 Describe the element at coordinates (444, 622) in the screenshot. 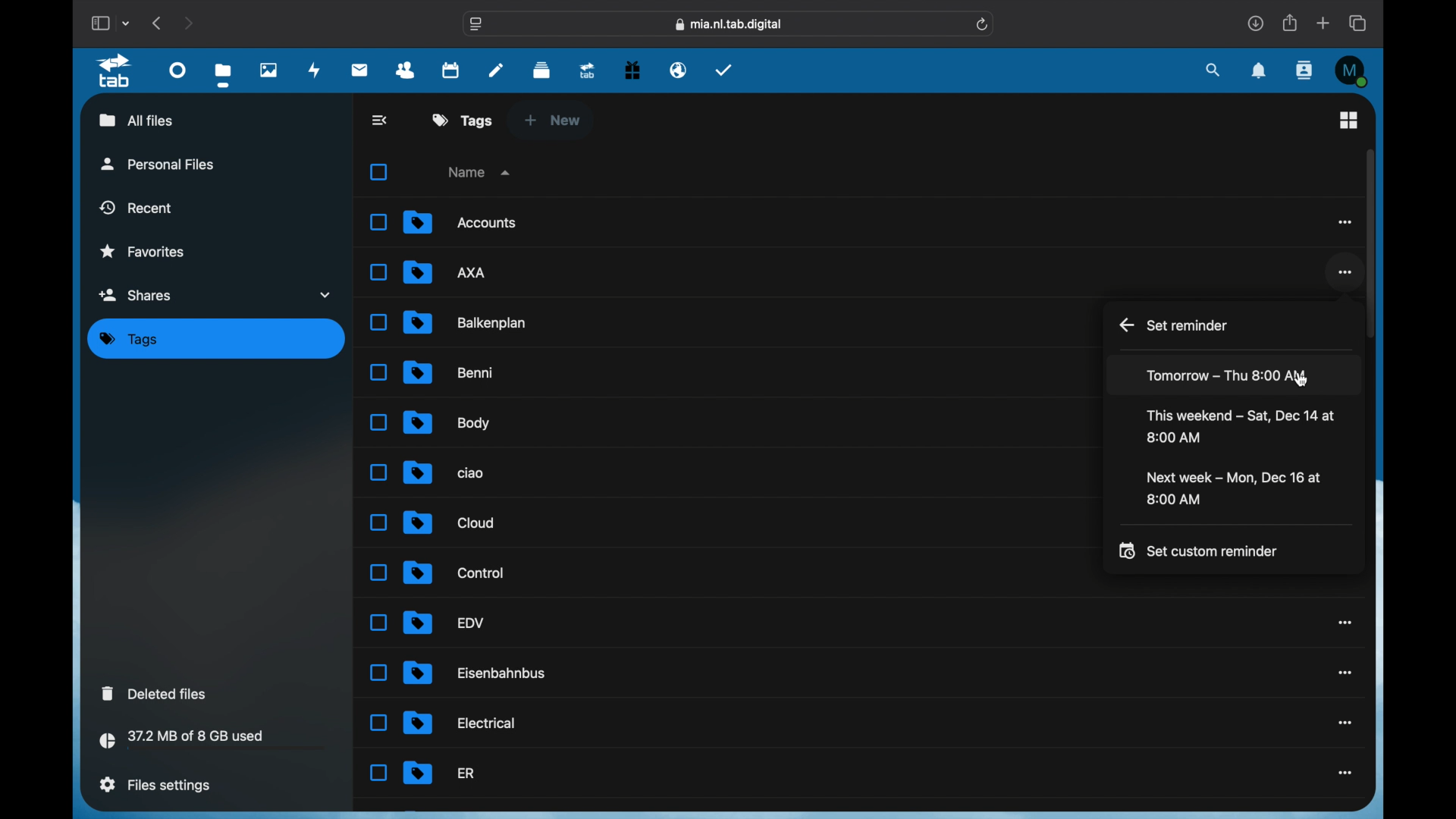

I see `file` at that location.